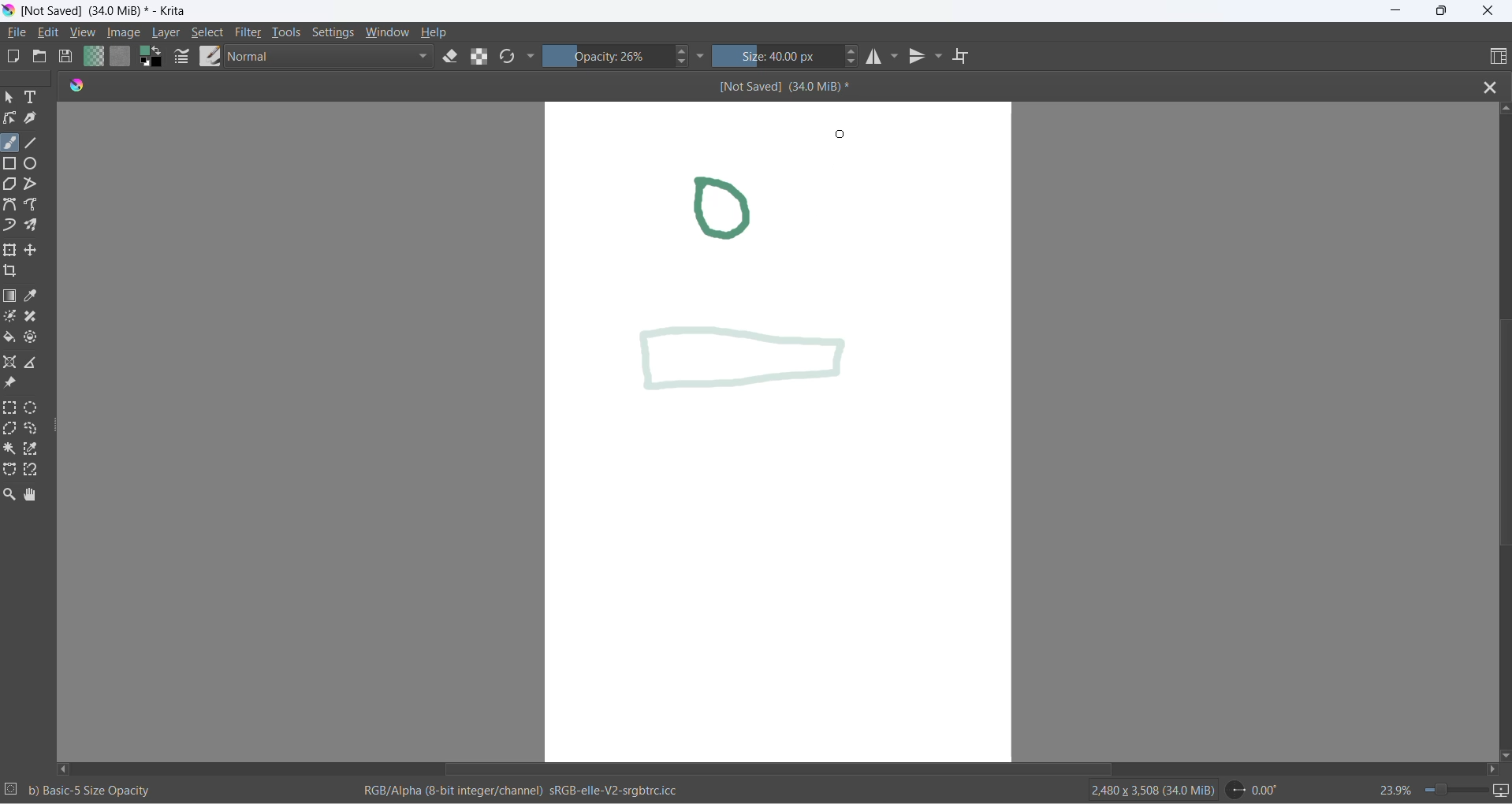  I want to click on assistant tool, so click(12, 362).